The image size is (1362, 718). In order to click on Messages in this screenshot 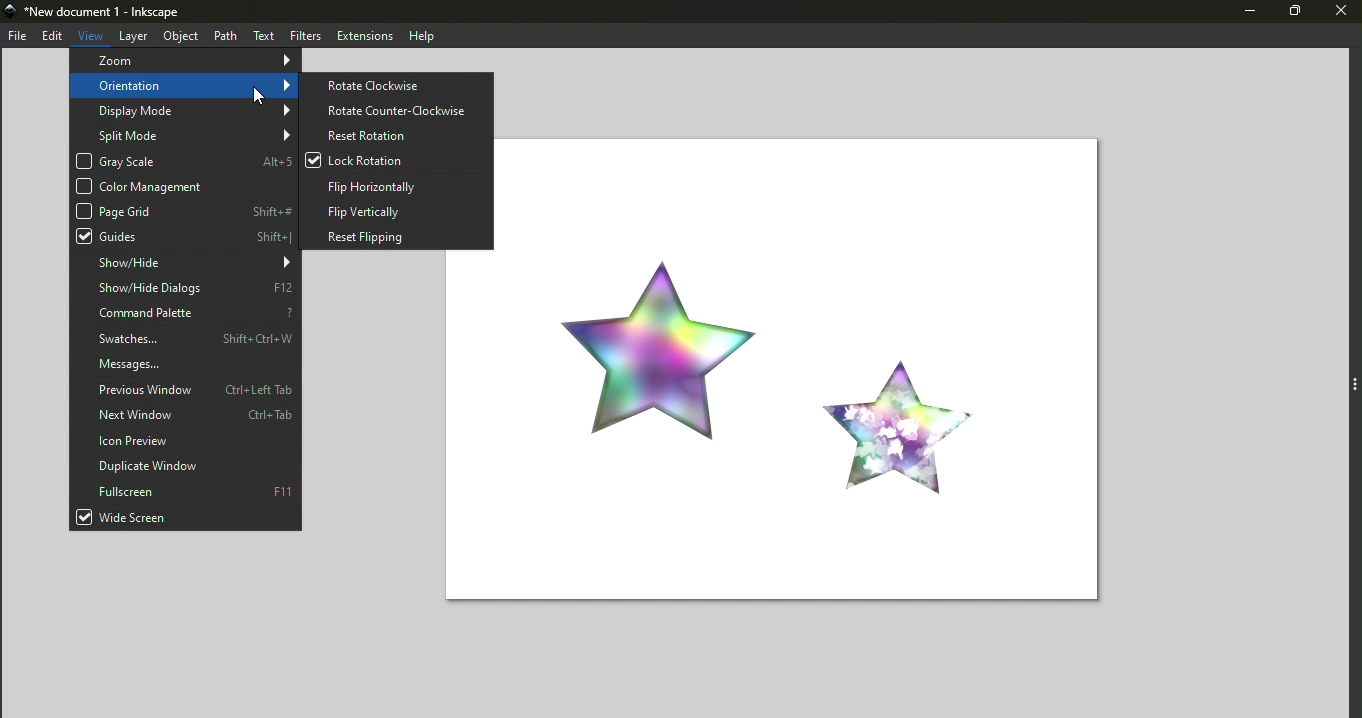, I will do `click(186, 364)`.